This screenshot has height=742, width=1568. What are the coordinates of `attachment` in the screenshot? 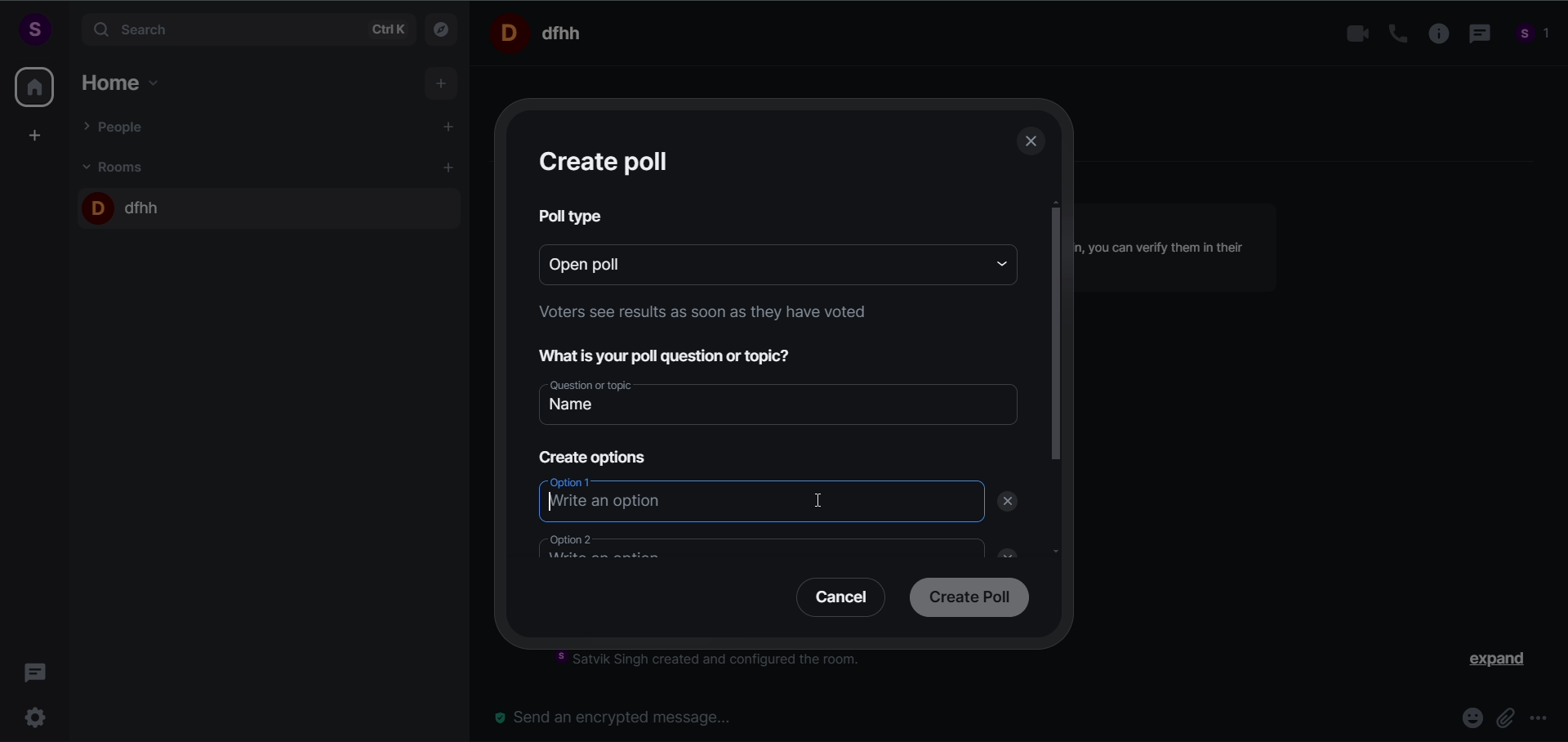 It's located at (1504, 717).